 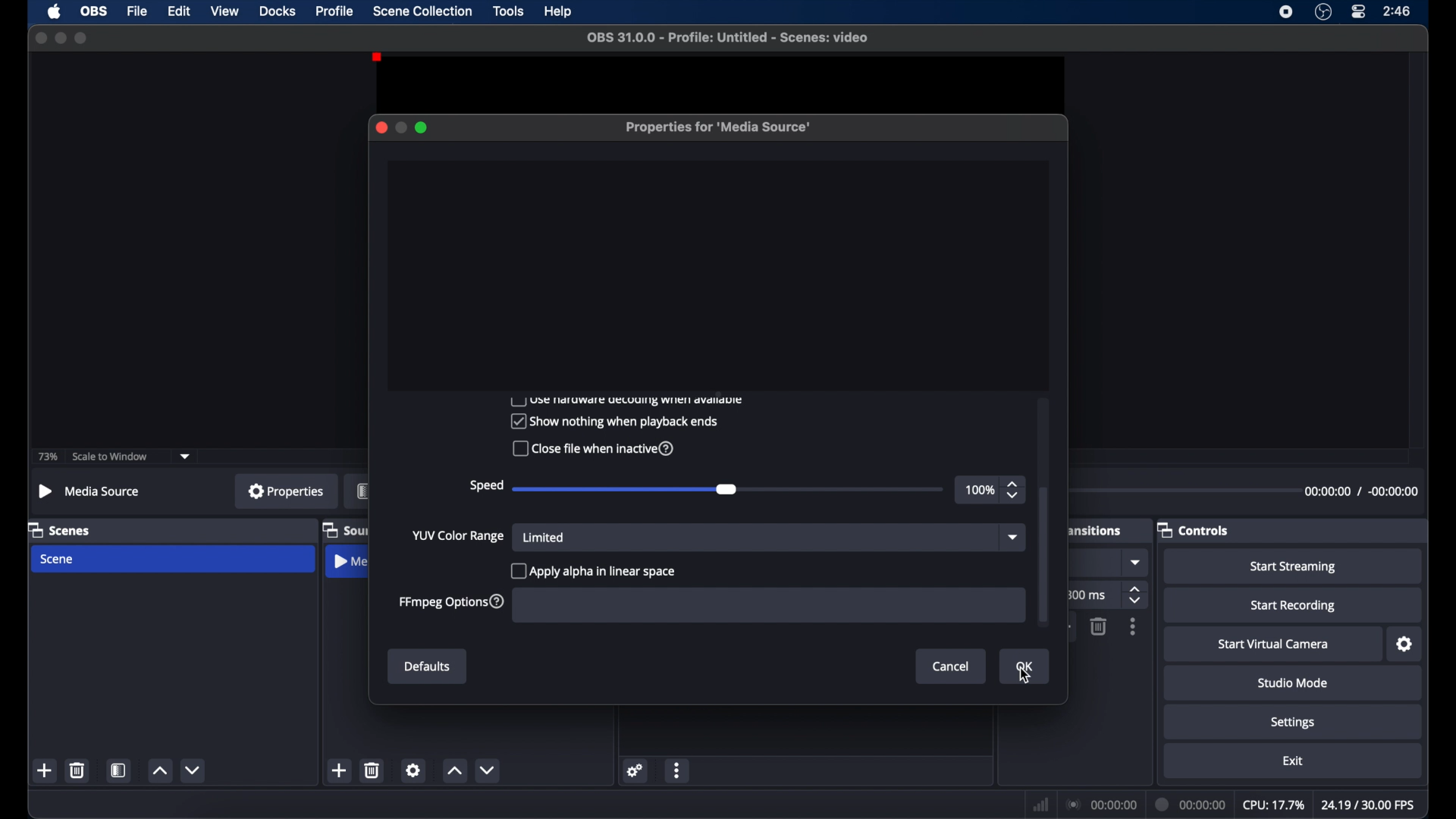 I want to click on close, so click(x=381, y=127).